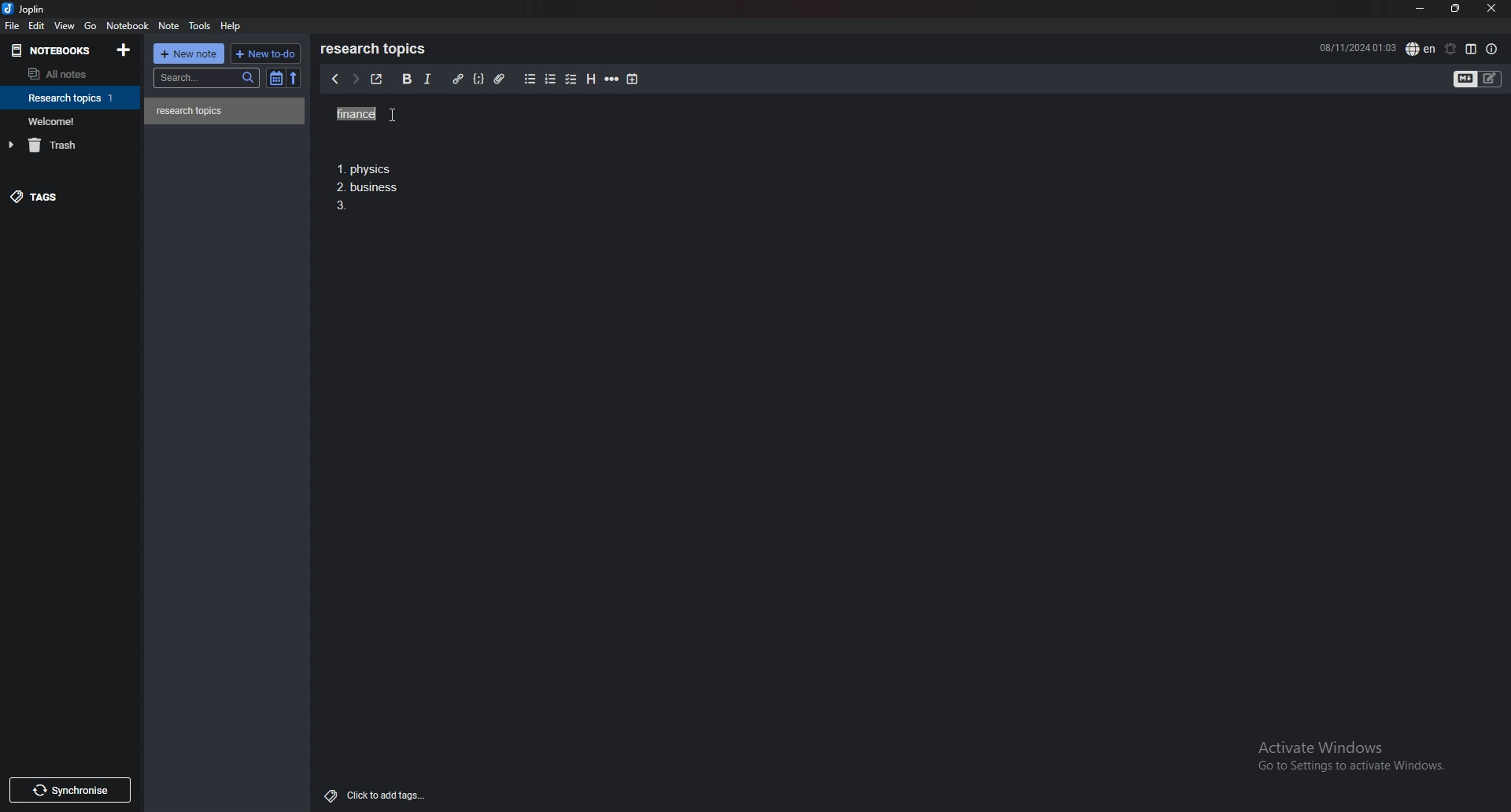  Describe the element at coordinates (13, 26) in the screenshot. I see `file` at that location.